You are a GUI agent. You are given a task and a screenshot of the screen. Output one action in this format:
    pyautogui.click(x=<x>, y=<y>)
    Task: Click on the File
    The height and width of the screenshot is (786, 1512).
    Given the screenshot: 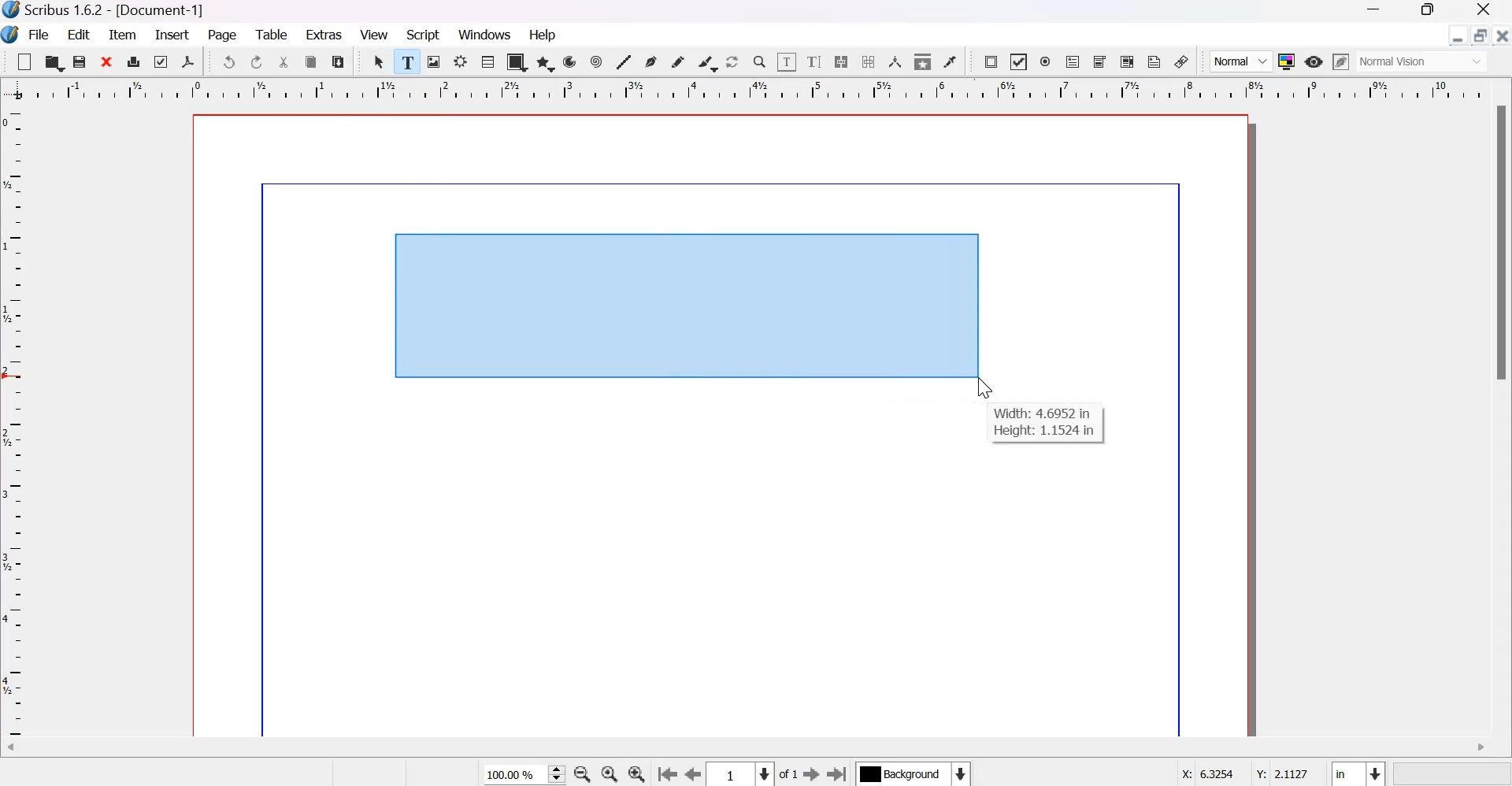 What is the action you would take?
    pyautogui.click(x=37, y=35)
    